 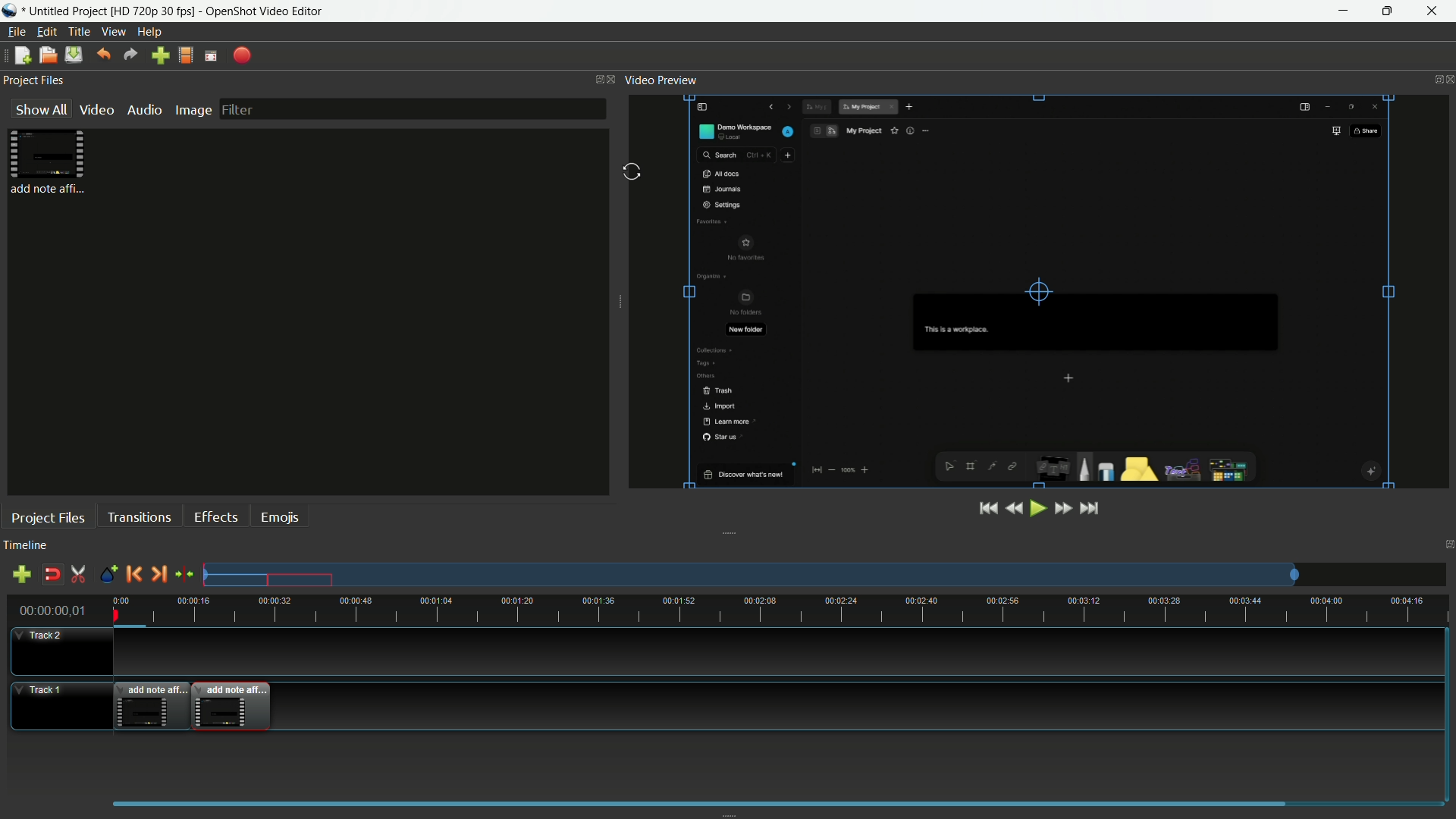 What do you see at coordinates (78, 574) in the screenshot?
I see `enable razor` at bounding box center [78, 574].